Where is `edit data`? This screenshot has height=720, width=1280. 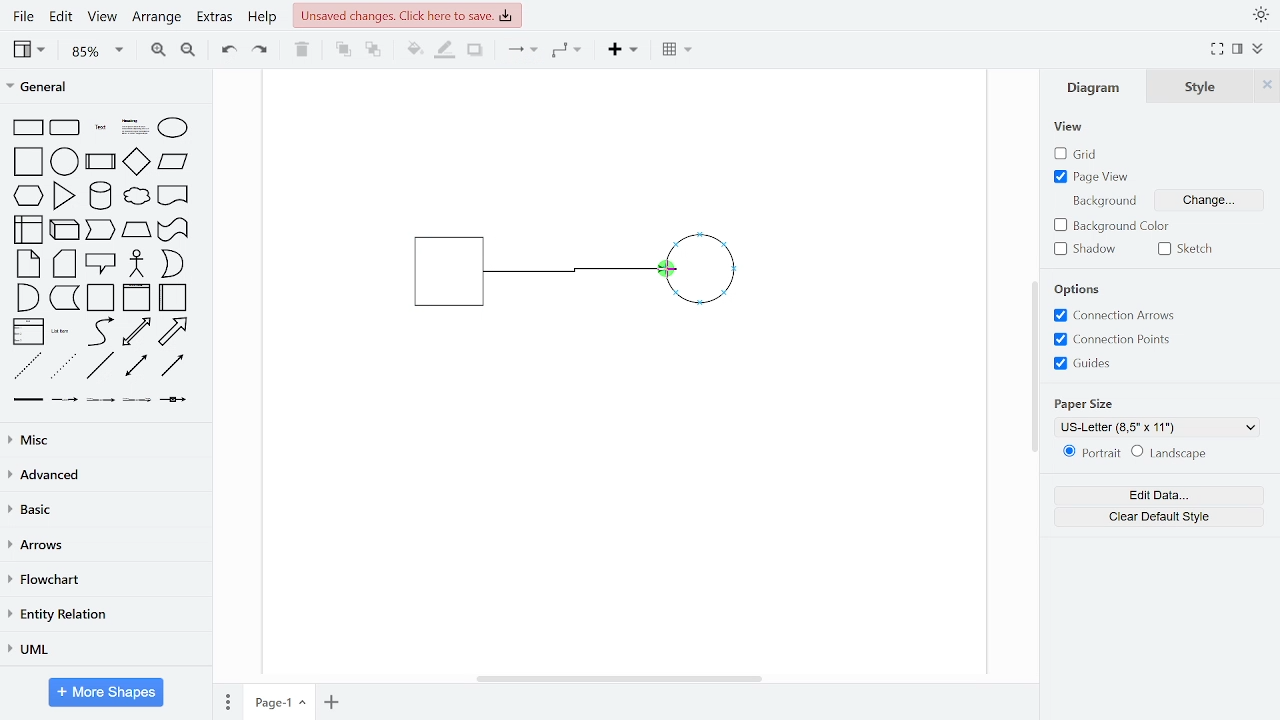
edit data is located at coordinates (1158, 496).